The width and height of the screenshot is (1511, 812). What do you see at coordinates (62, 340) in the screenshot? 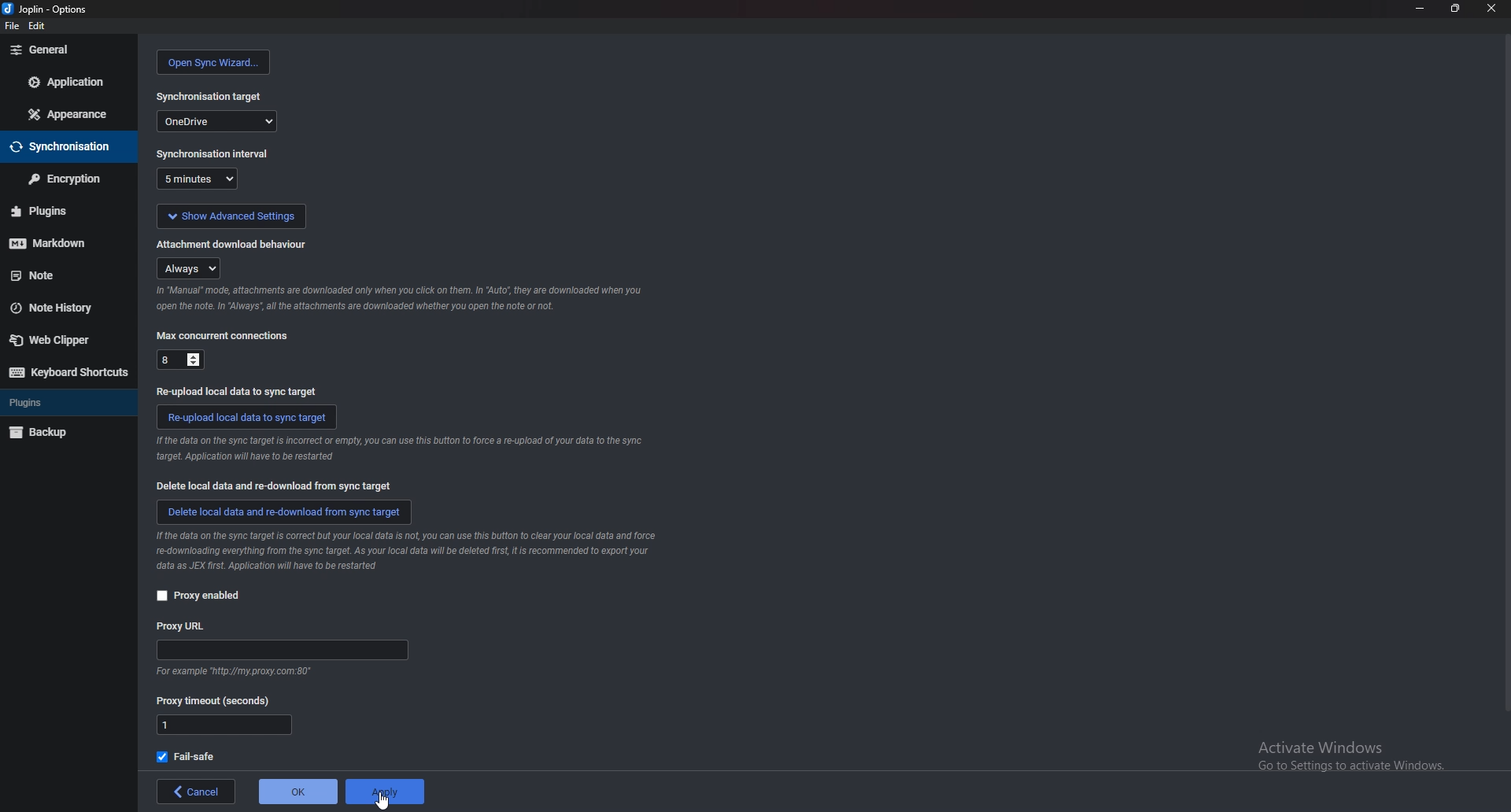
I see `web clipper` at bounding box center [62, 340].